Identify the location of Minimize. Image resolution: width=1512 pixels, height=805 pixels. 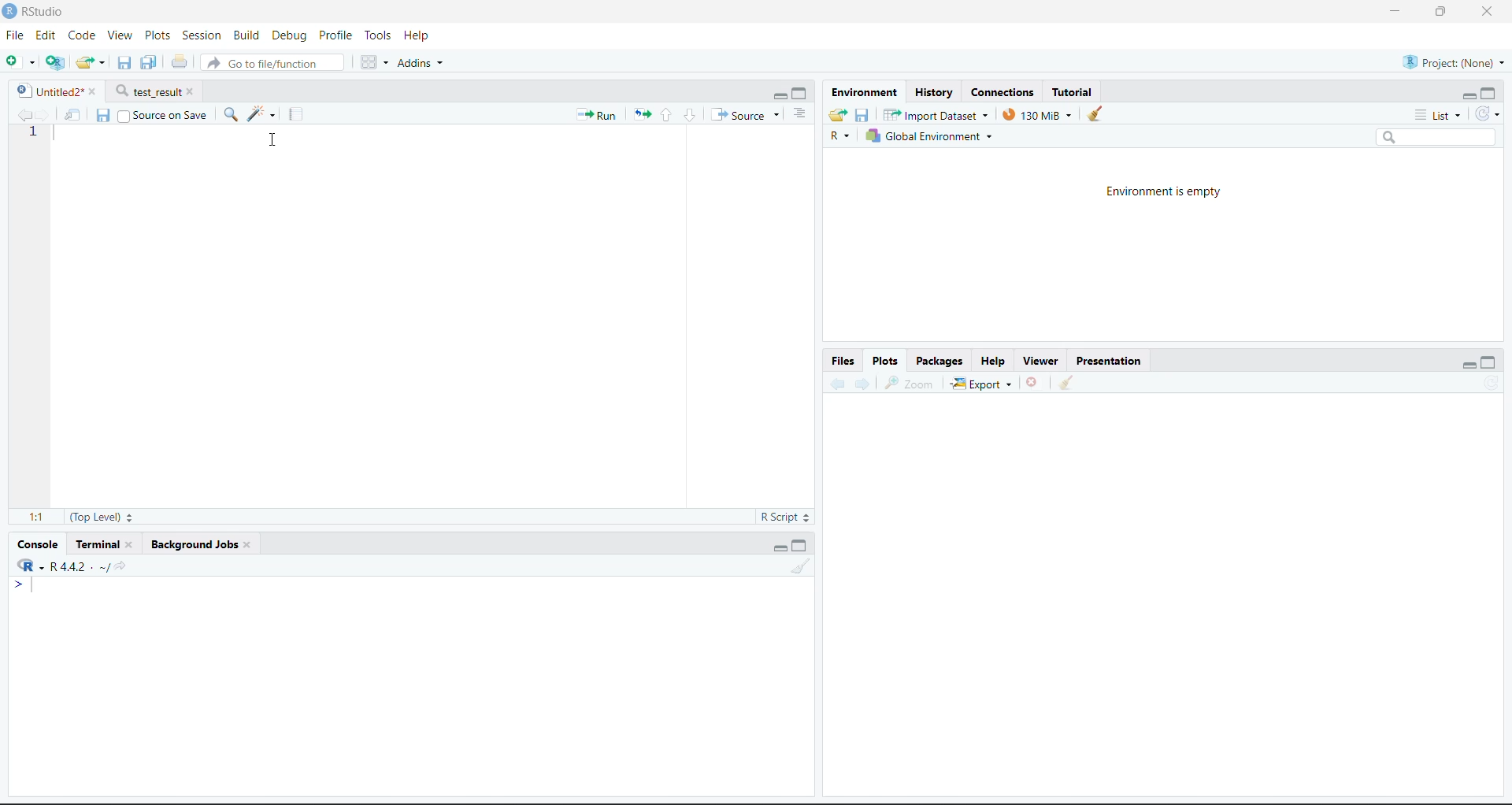
(1466, 362).